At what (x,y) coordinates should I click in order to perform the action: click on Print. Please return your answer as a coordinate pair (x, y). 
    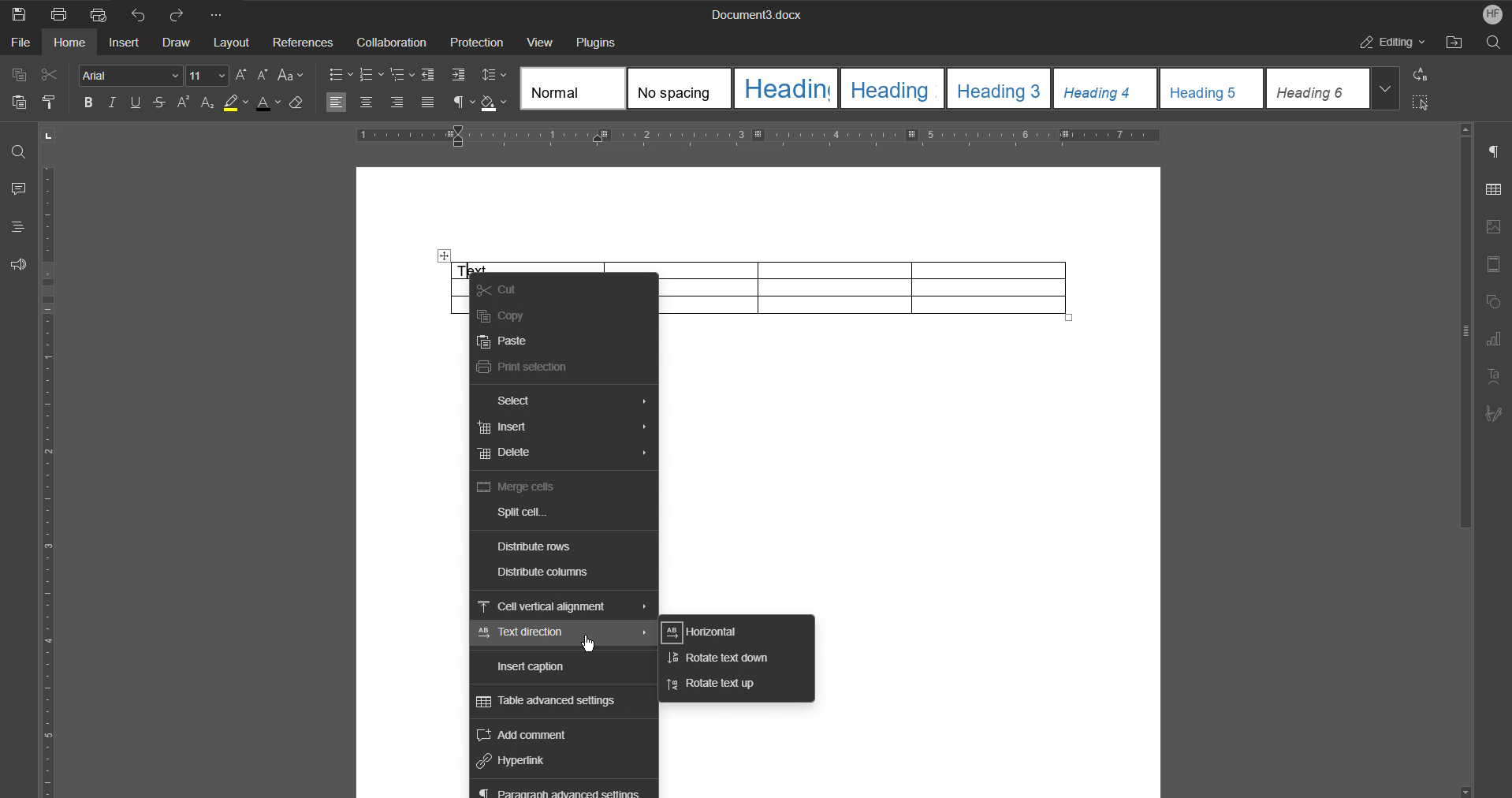
    Looking at the image, I should click on (56, 13).